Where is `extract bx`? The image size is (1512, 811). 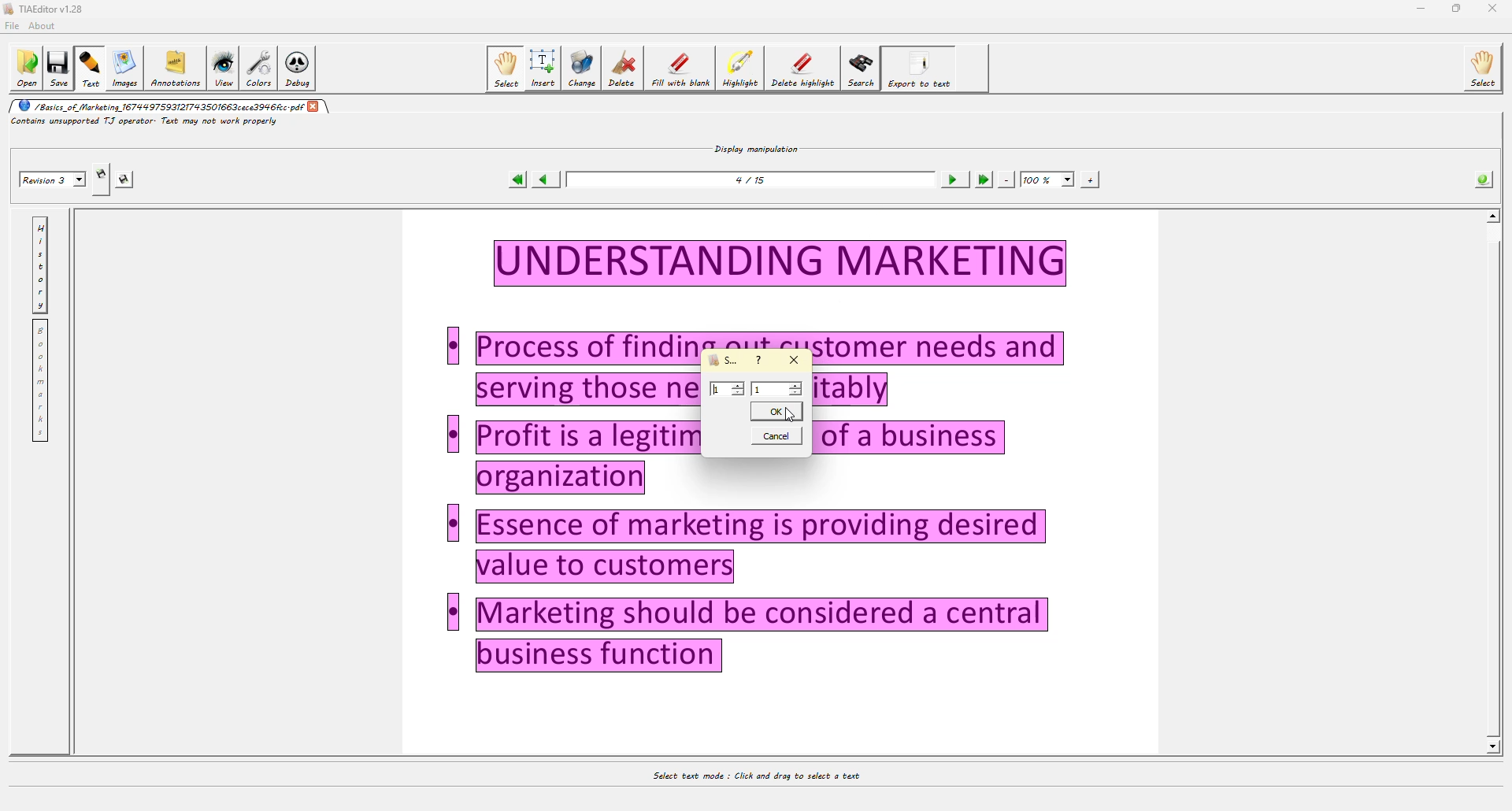
extract bx is located at coordinates (723, 360).